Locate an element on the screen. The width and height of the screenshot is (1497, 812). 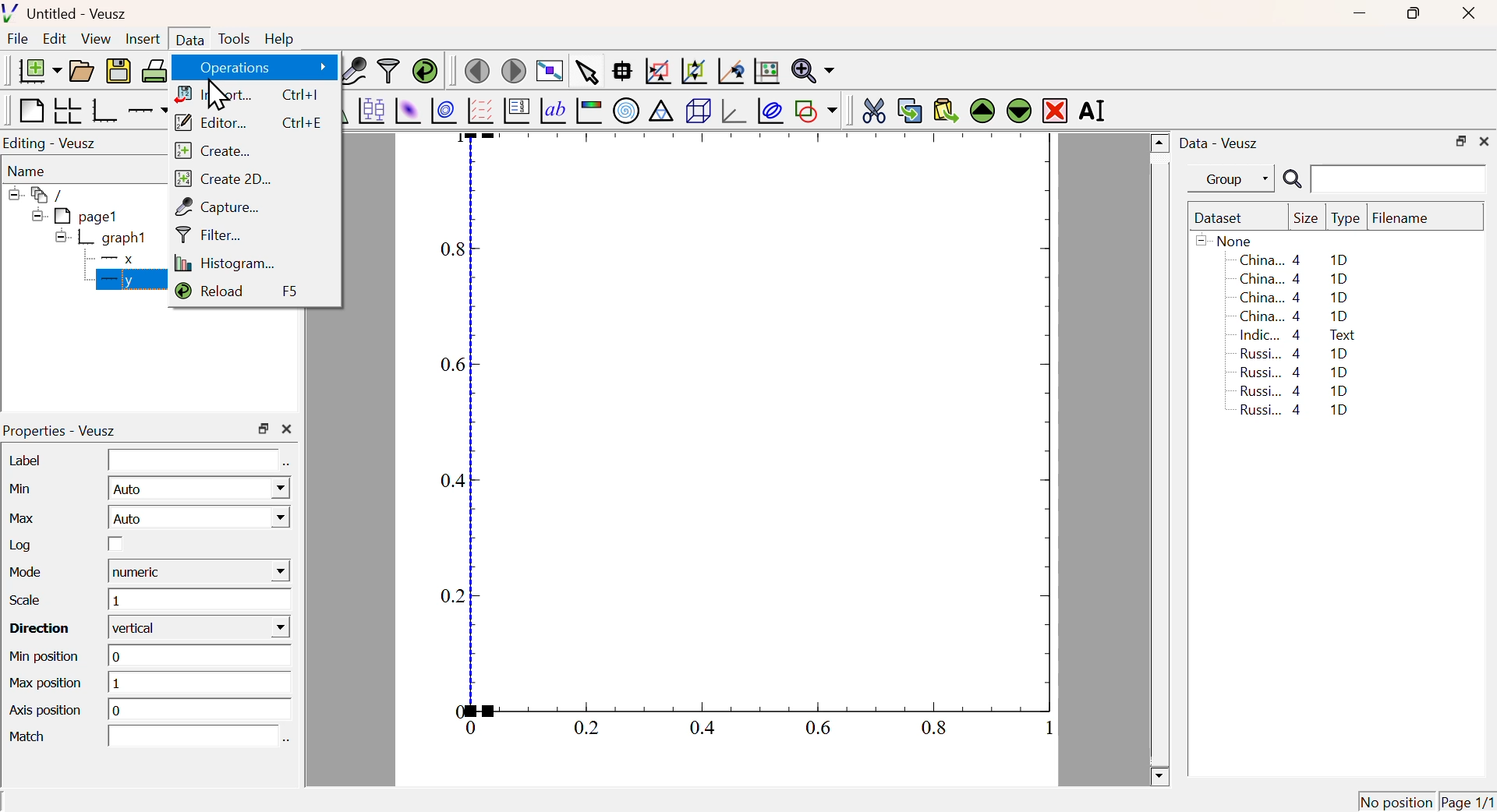
Auto is located at coordinates (199, 518).